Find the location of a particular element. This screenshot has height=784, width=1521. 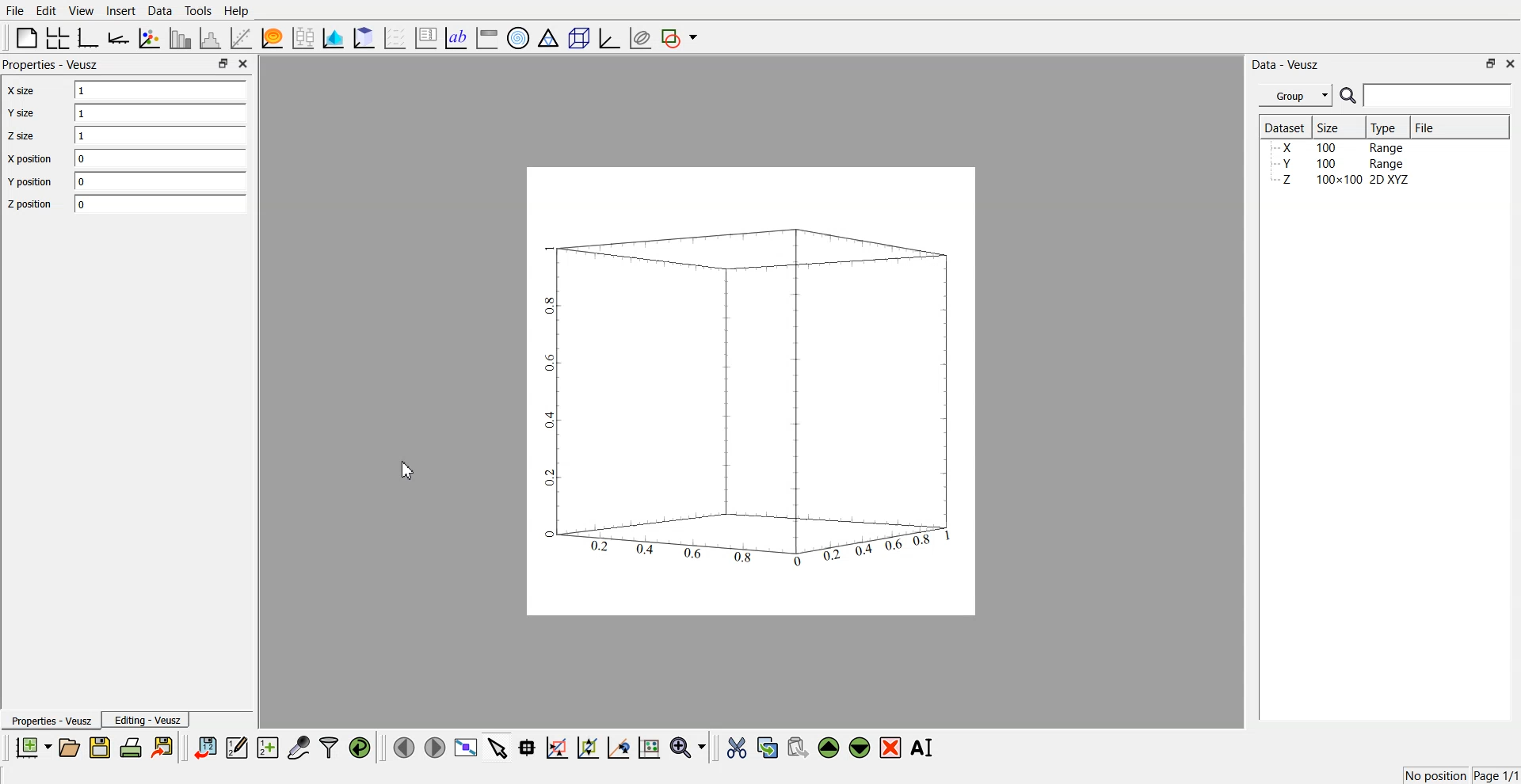

Move up the selected widget is located at coordinates (829, 748).